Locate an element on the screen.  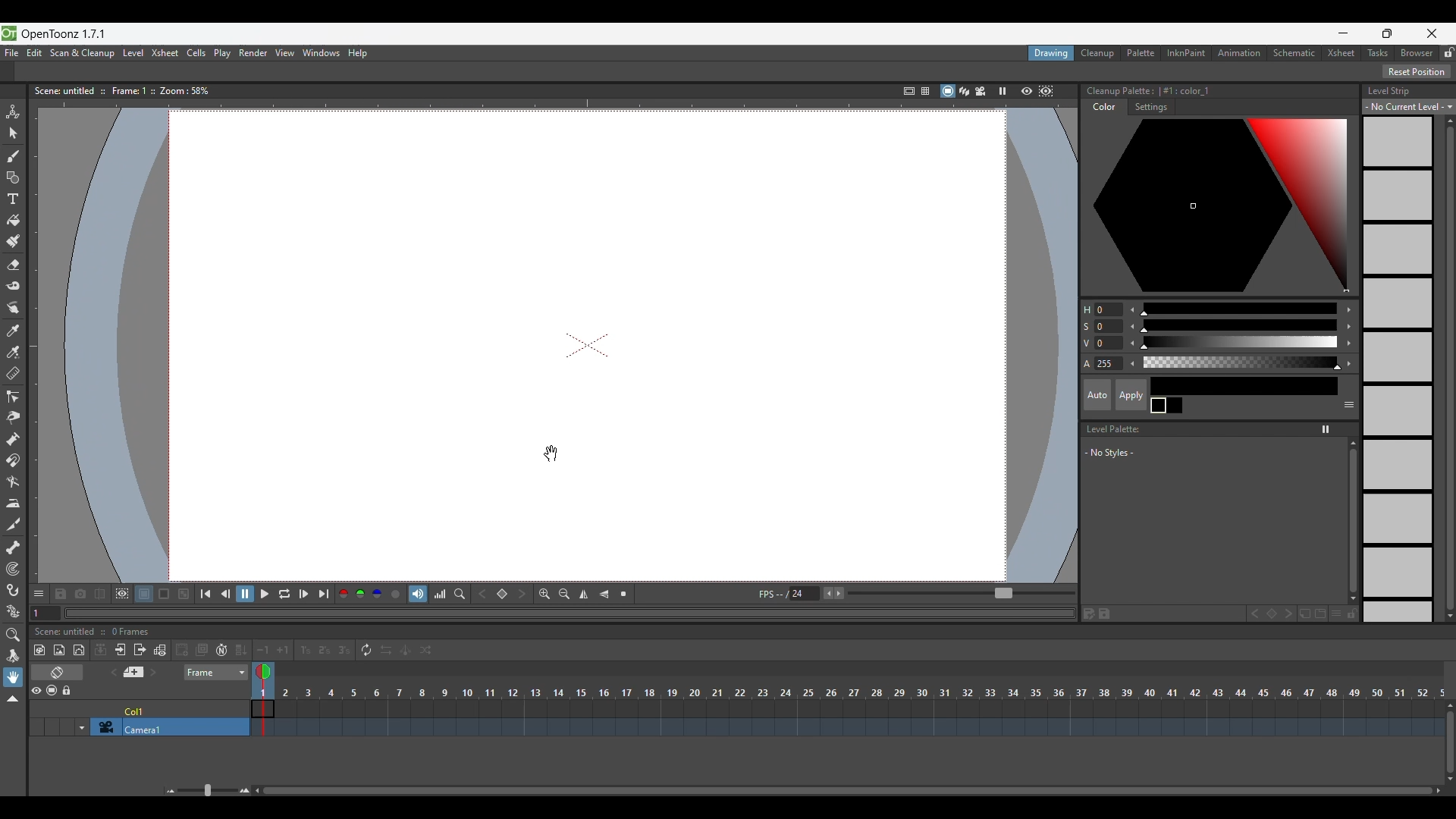
Color is located at coordinates (1104, 107).